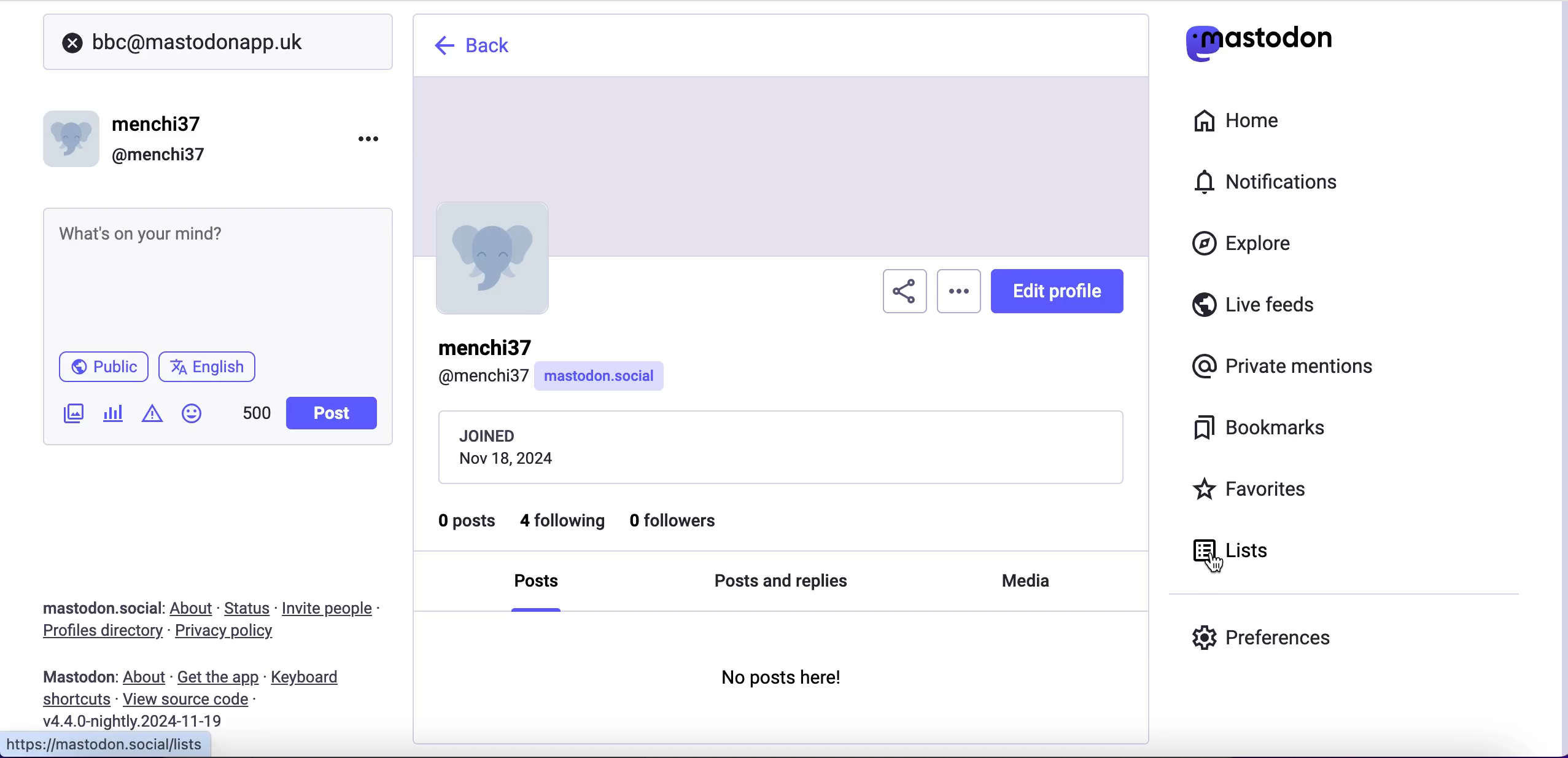  I want to click on user name, so click(552, 363).